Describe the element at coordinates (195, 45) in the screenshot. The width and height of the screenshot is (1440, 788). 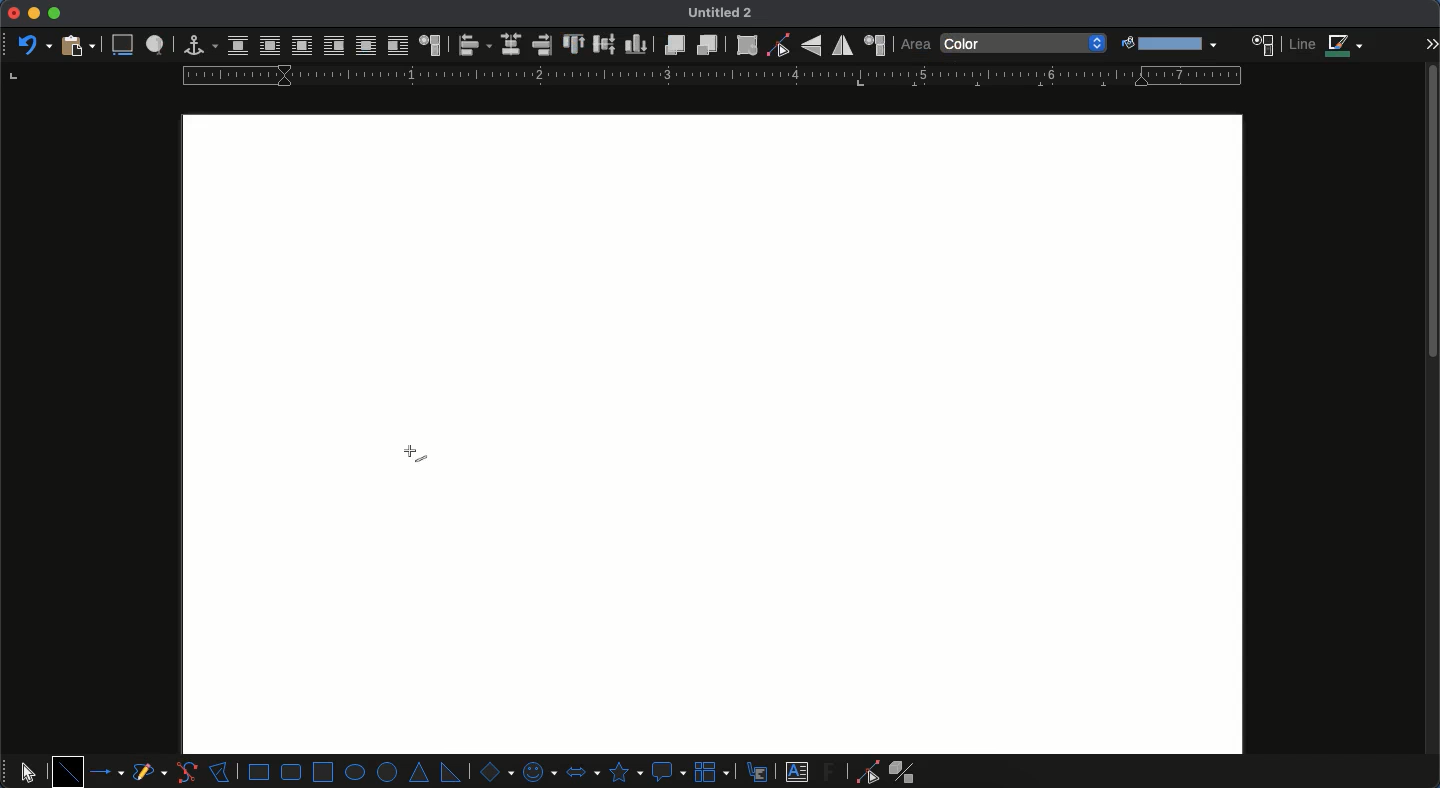
I see `anchor for object` at that location.